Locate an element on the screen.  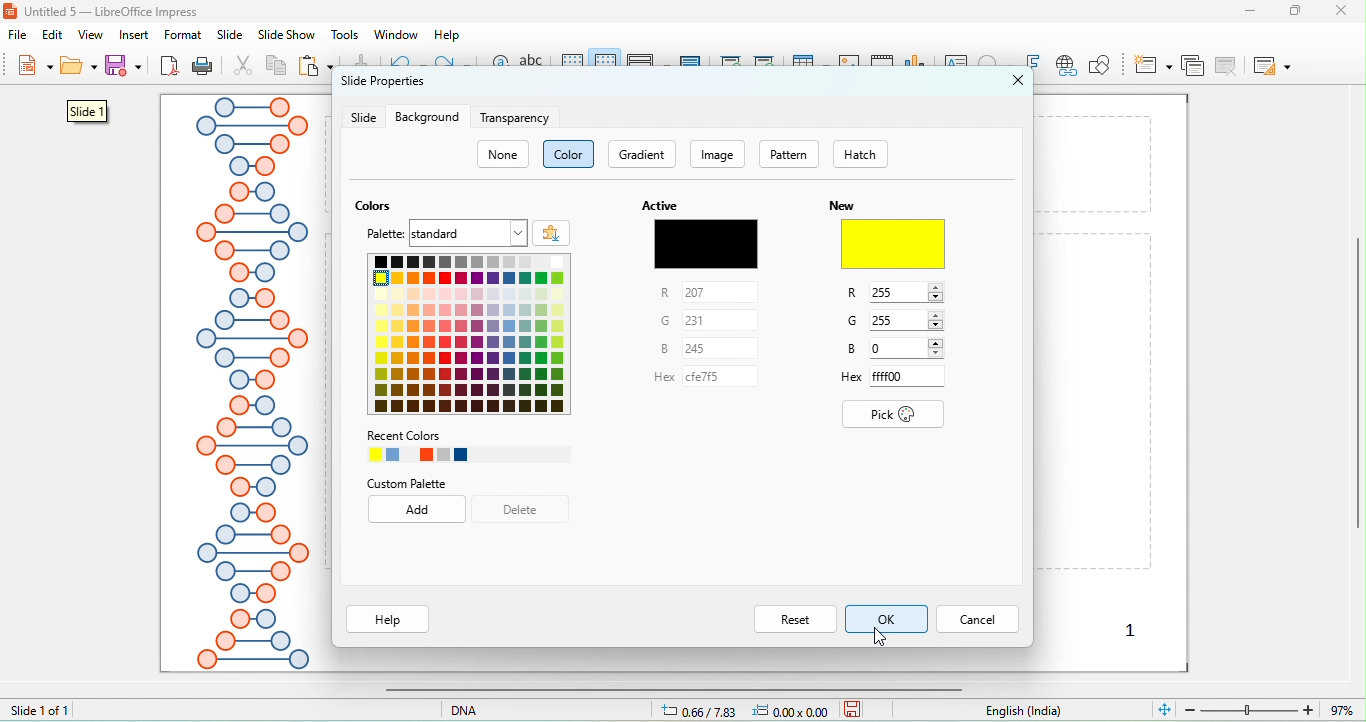
media is located at coordinates (883, 63).